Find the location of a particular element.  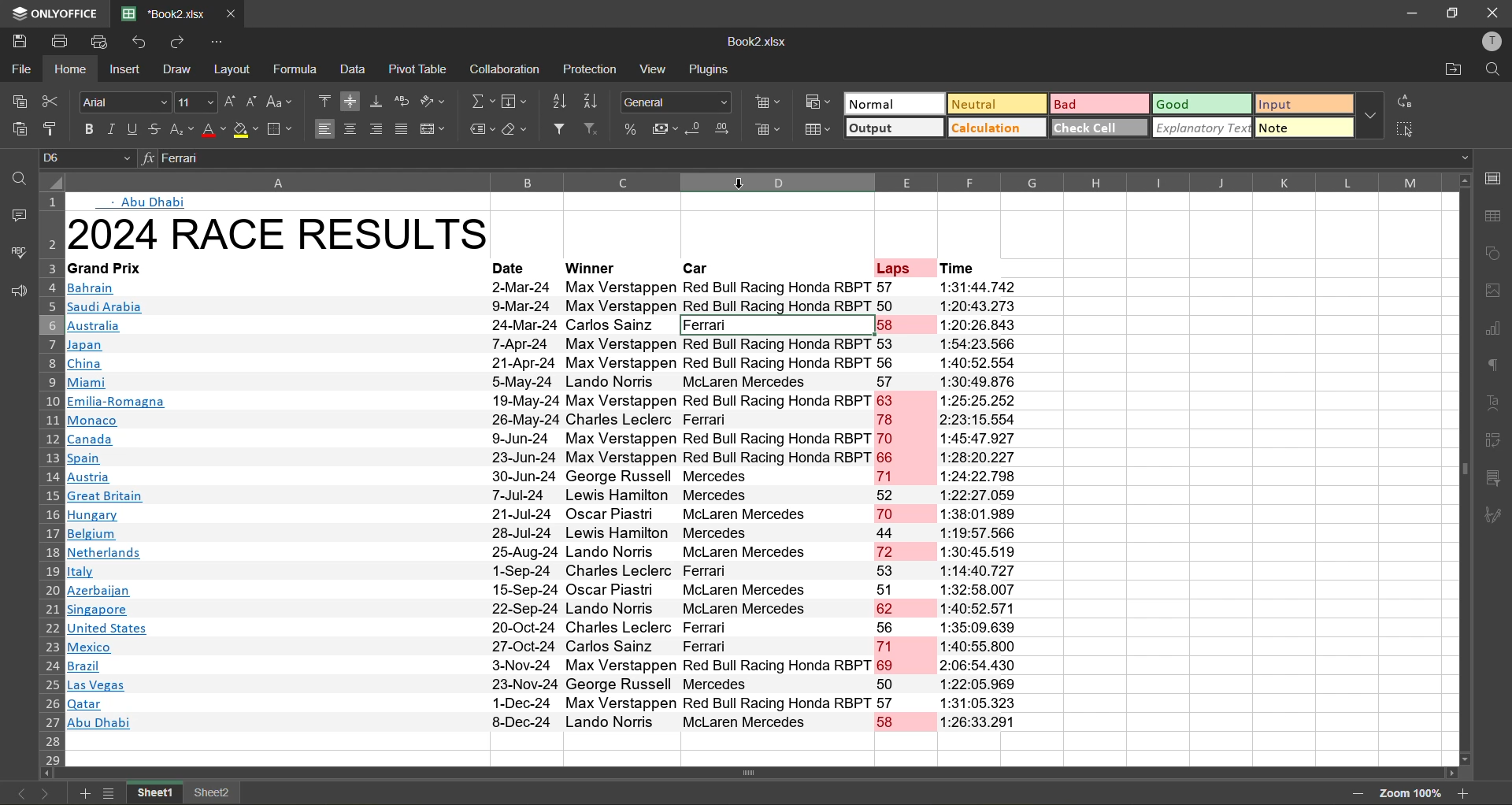

Grand Frix is located at coordinates (113, 269).